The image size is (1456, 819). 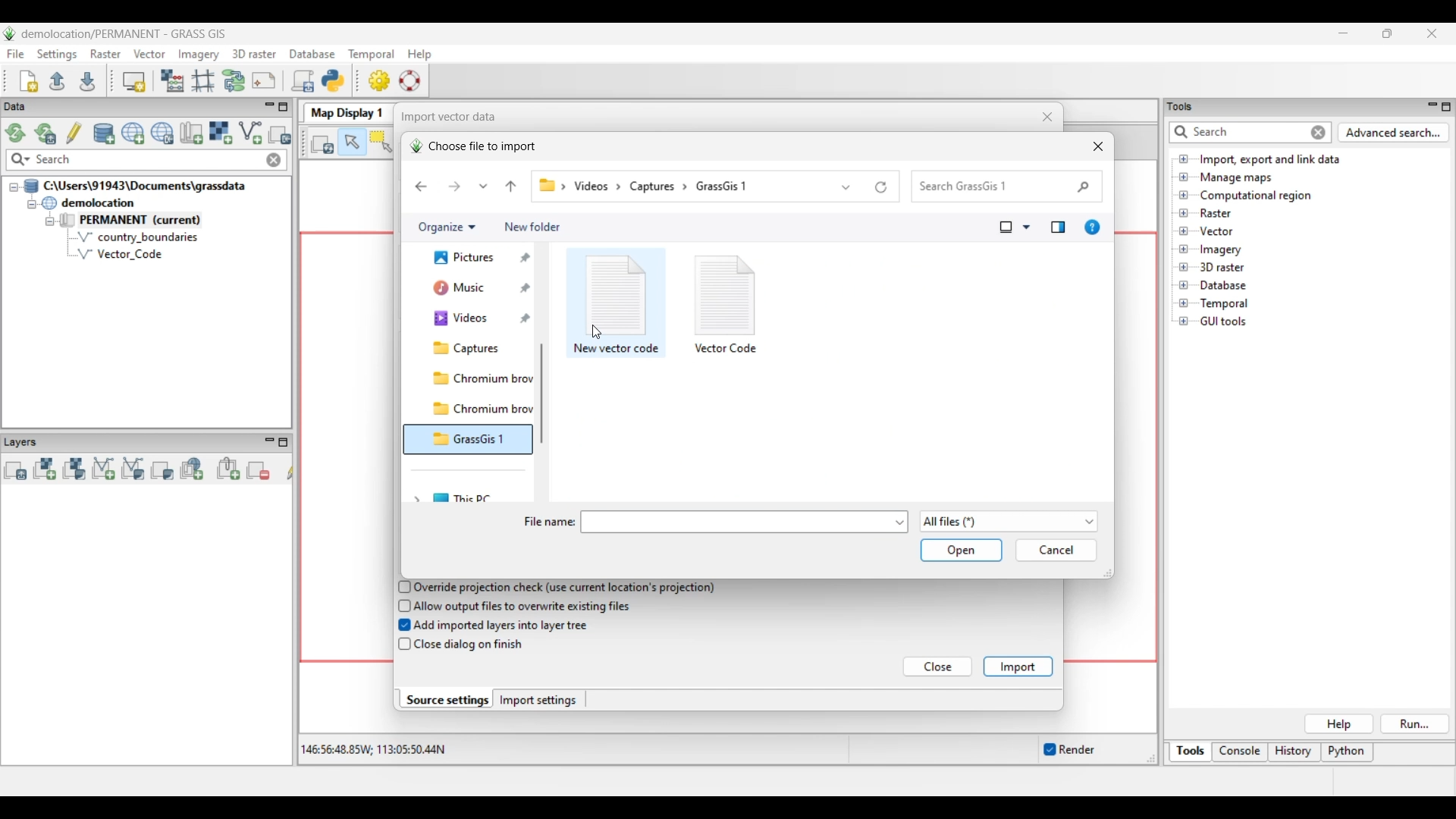 I want to click on Help menu, so click(x=419, y=54).